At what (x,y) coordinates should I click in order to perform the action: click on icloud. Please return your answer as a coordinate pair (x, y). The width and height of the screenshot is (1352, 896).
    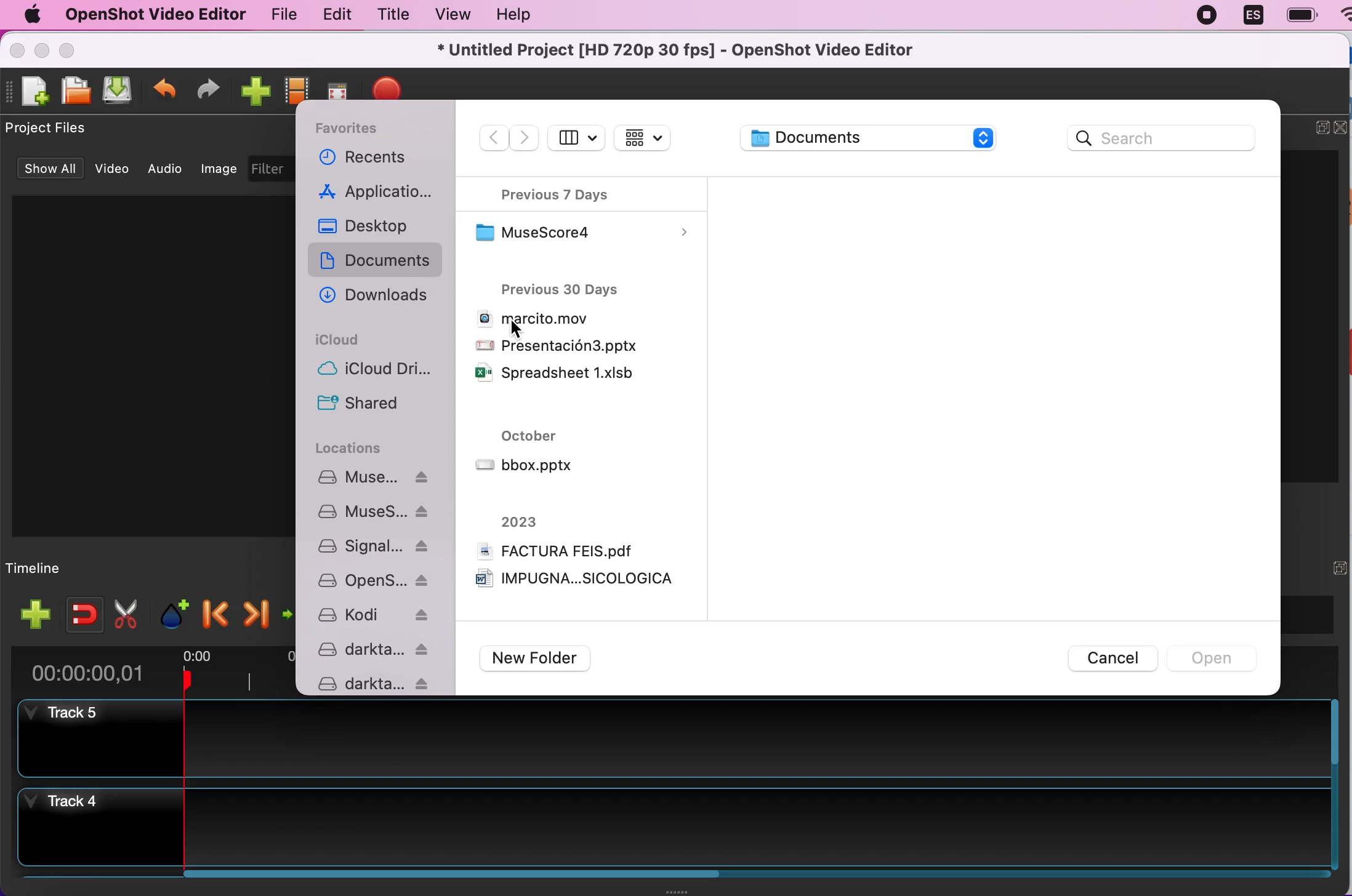
    Looking at the image, I should click on (340, 340).